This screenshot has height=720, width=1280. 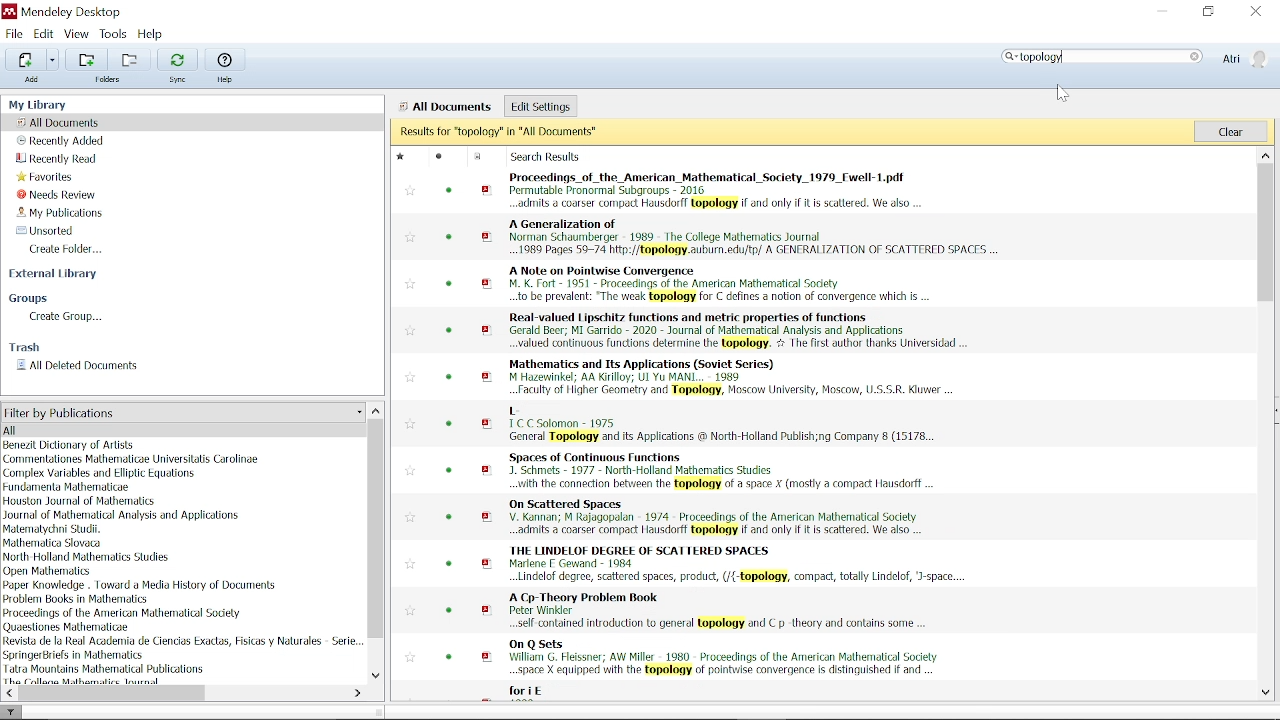 What do you see at coordinates (70, 445) in the screenshot?
I see `author` at bounding box center [70, 445].